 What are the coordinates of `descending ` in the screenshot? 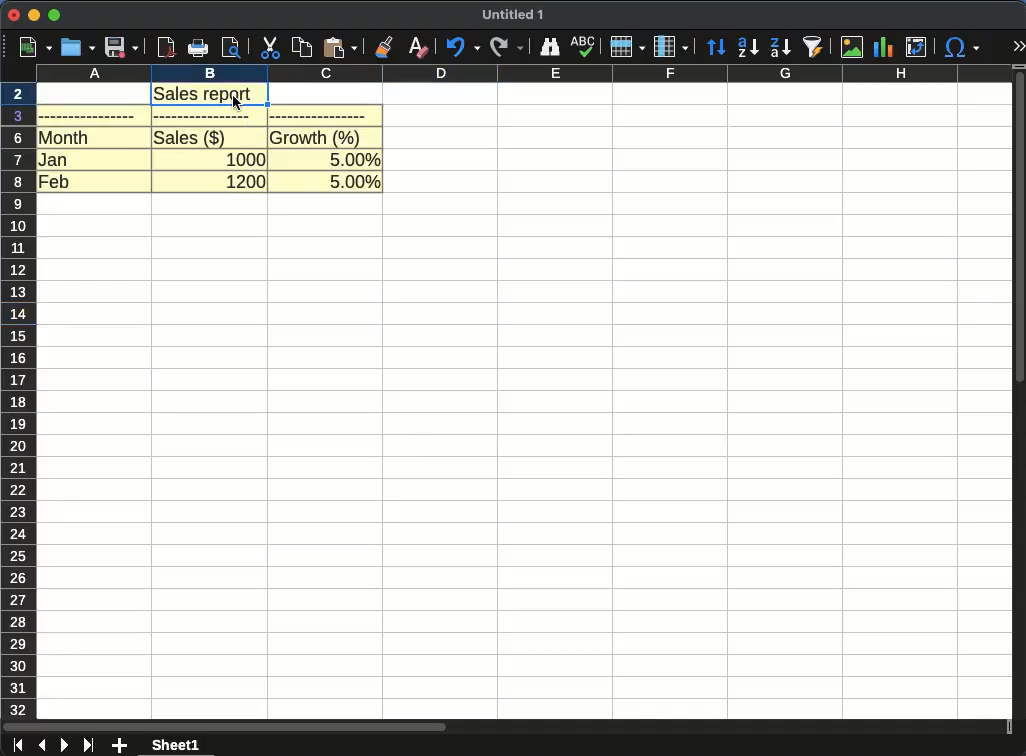 It's located at (781, 48).